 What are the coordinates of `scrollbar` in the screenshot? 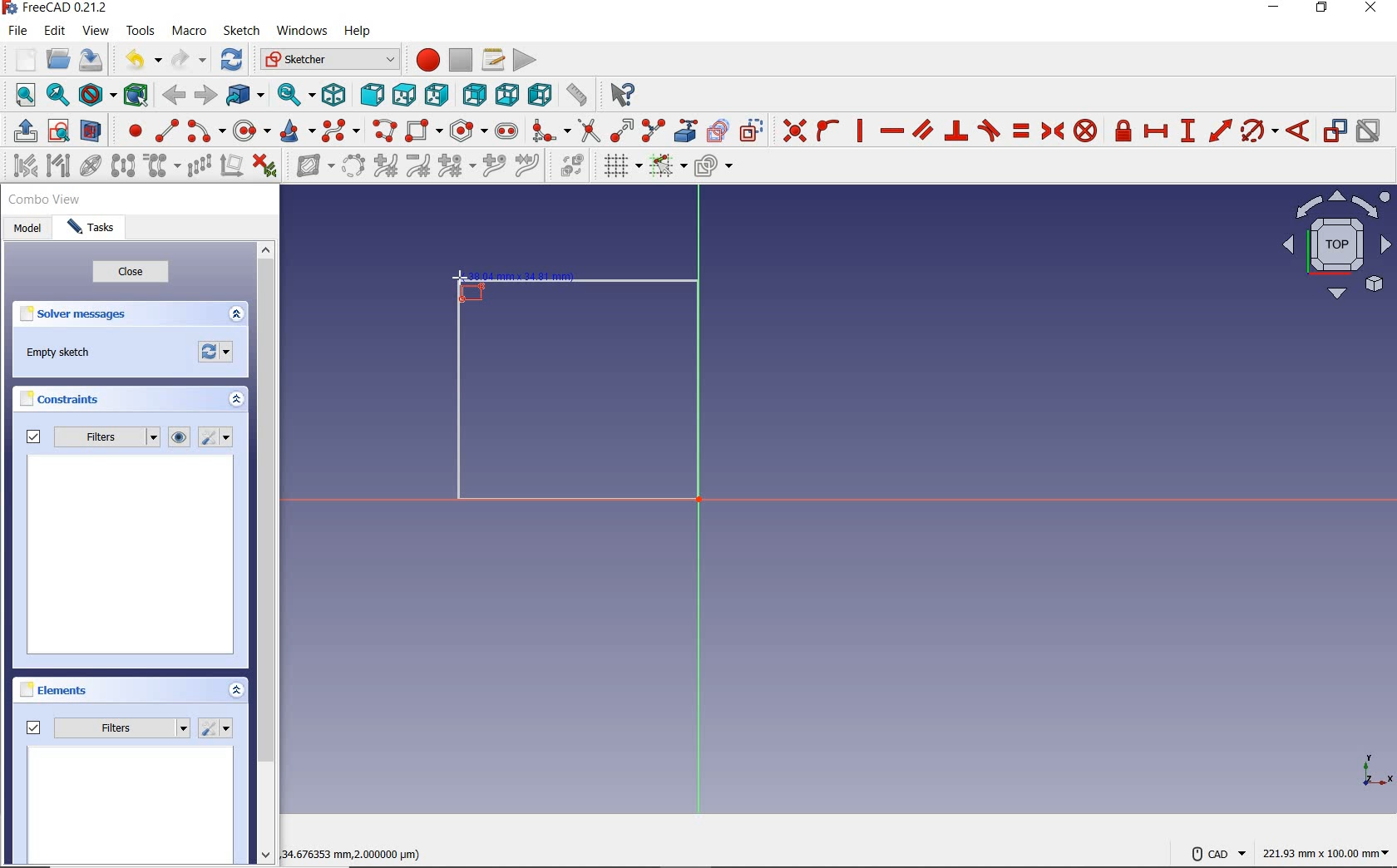 It's located at (268, 555).